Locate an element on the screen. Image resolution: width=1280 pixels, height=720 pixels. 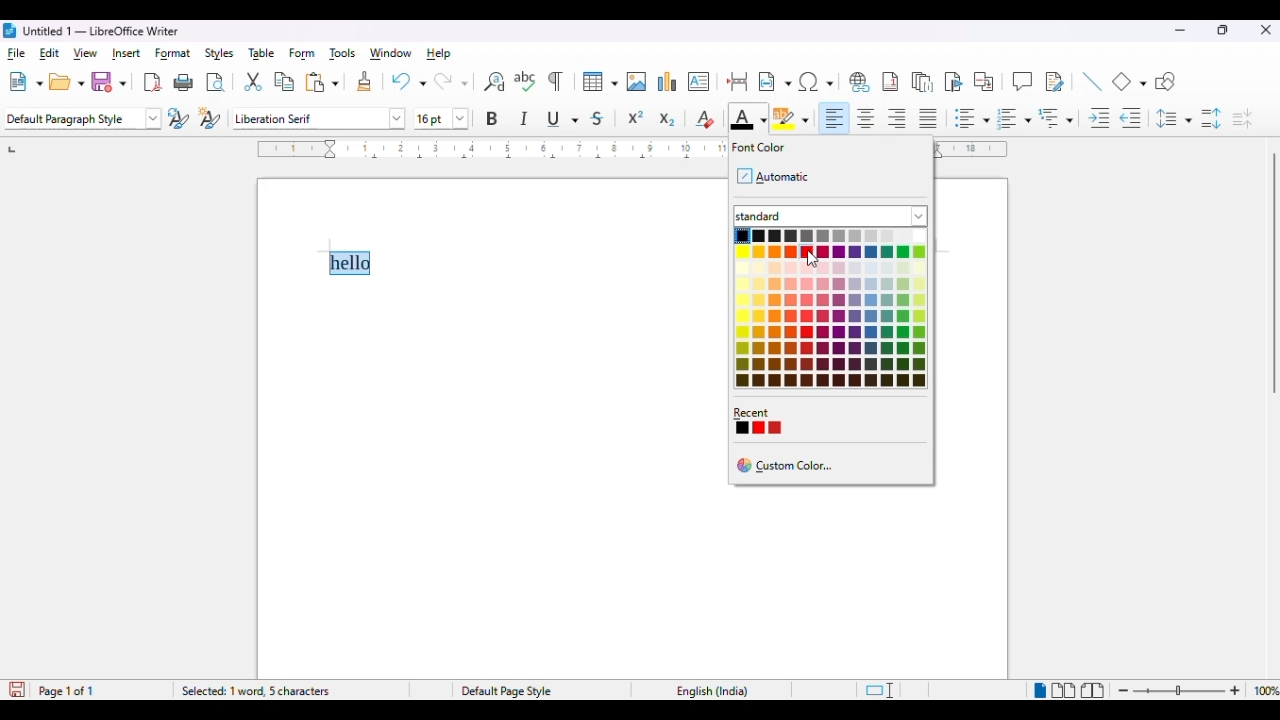
insert image is located at coordinates (637, 82).